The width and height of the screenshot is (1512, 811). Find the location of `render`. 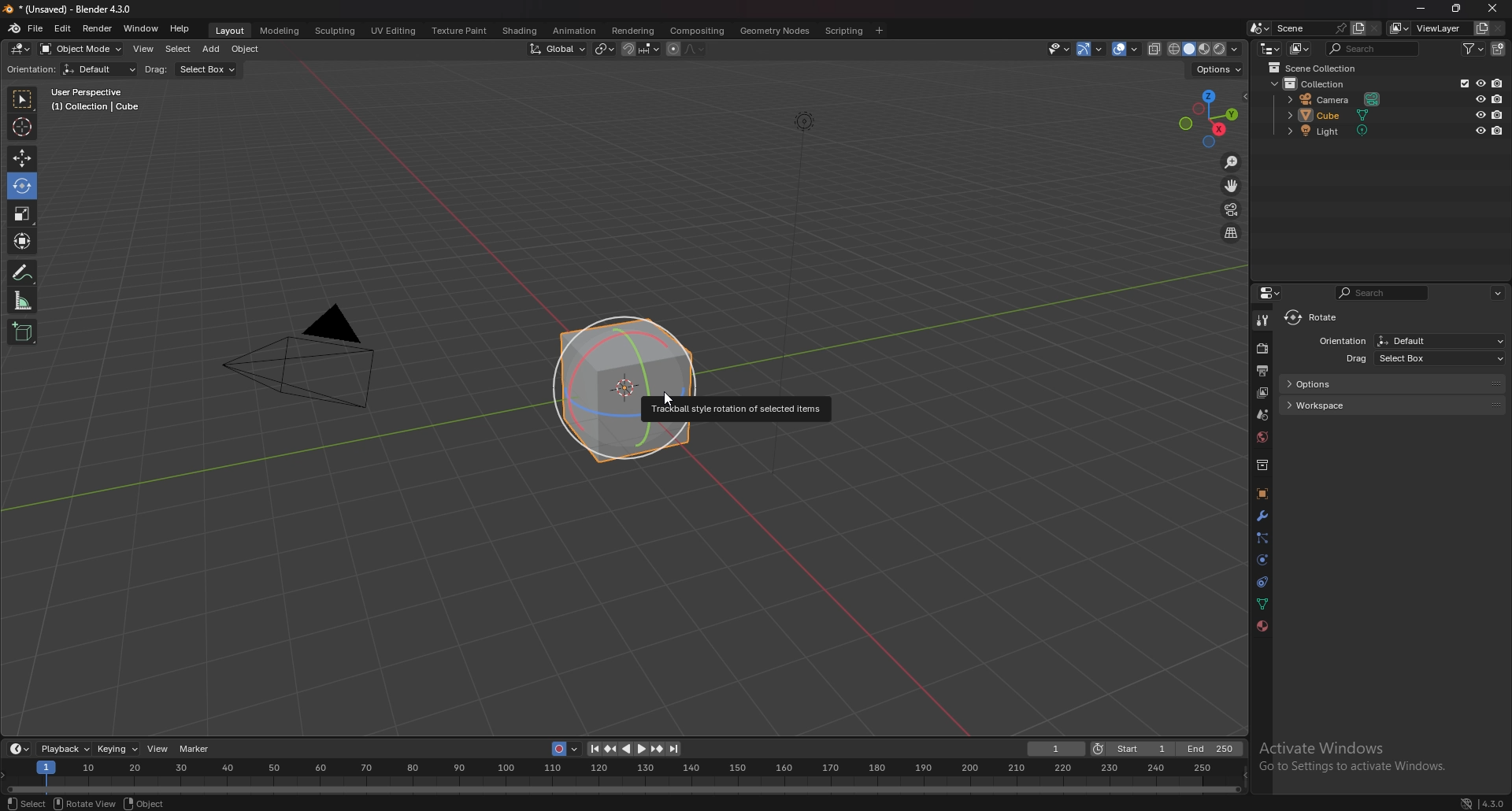

render is located at coordinates (97, 28).